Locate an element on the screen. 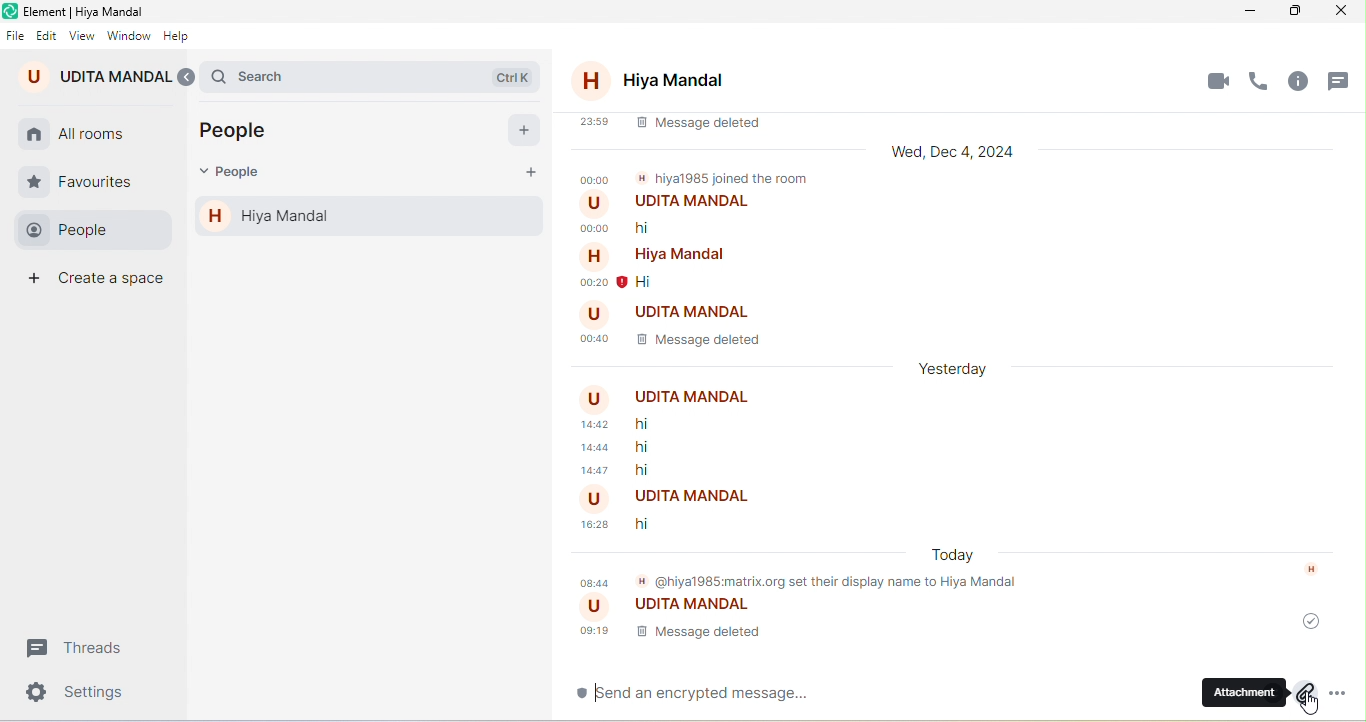 The width and height of the screenshot is (1366, 722). UDITA MANDAL is located at coordinates (695, 311).